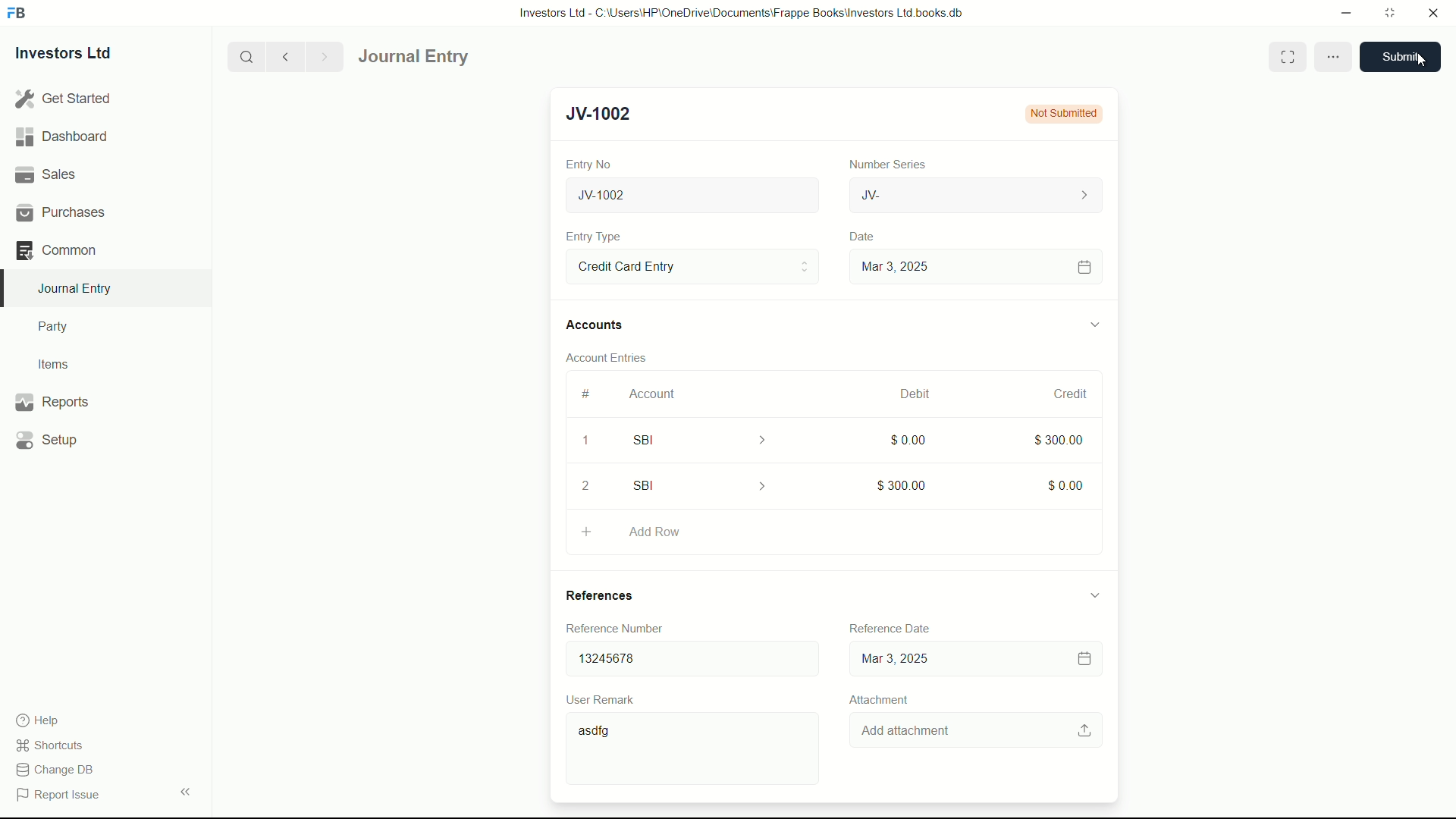 The width and height of the screenshot is (1456, 819). What do you see at coordinates (887, 626) in the screenshot?
I see `Reference date` at bounding box center [887, 626].